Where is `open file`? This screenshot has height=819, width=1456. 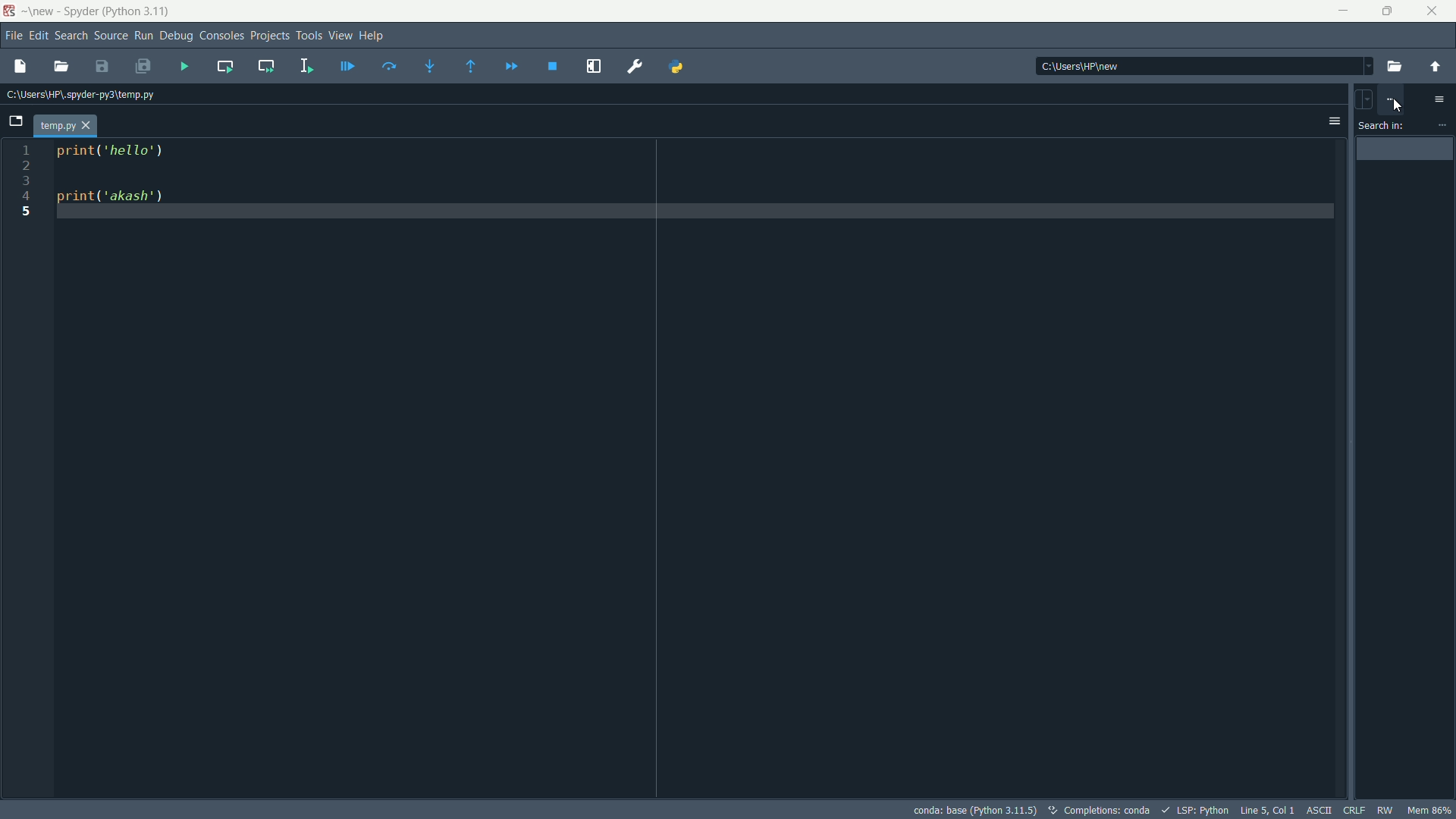
open file is located at coordinates (64, 65).